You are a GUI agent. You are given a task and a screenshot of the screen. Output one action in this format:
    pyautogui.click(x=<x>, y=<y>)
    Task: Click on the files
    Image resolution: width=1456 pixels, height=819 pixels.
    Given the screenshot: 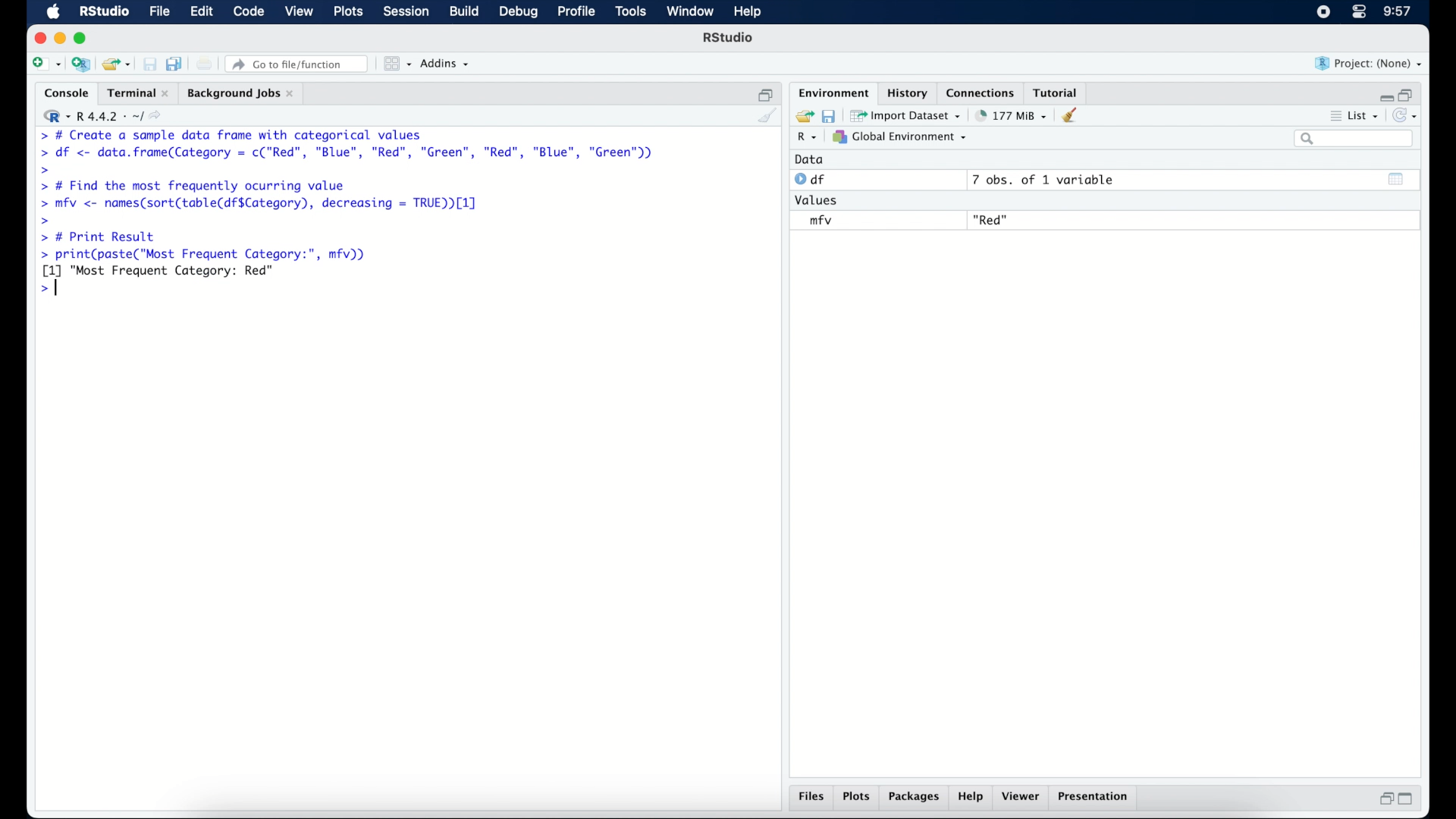 What is the action you would take?
    pyautogui.click(x=810, y=798)
    